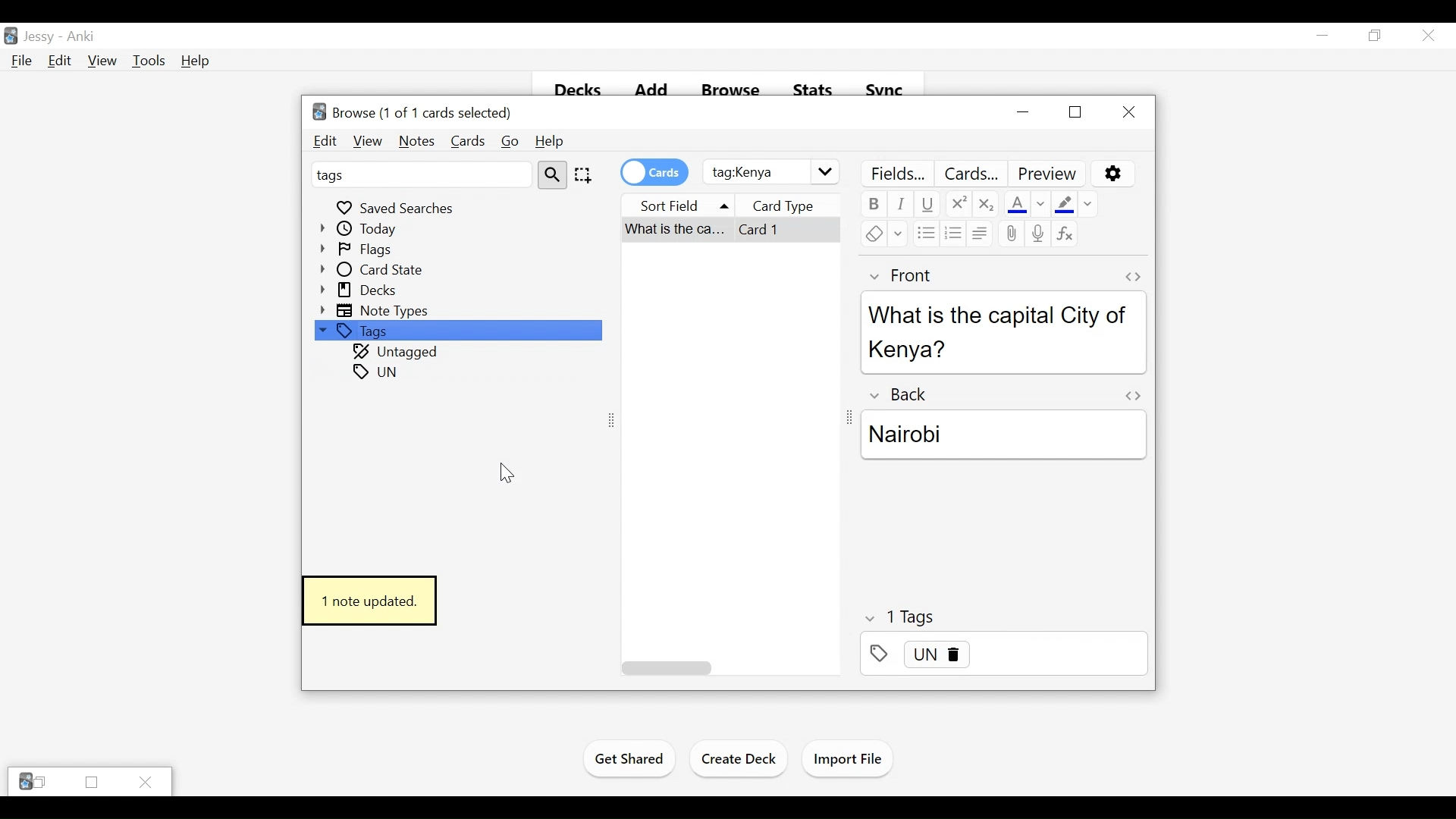  What do you see at coordinates (973, 174) in the screenshot?
I see `Customize Cards Template` at bounding box center [973, 174].